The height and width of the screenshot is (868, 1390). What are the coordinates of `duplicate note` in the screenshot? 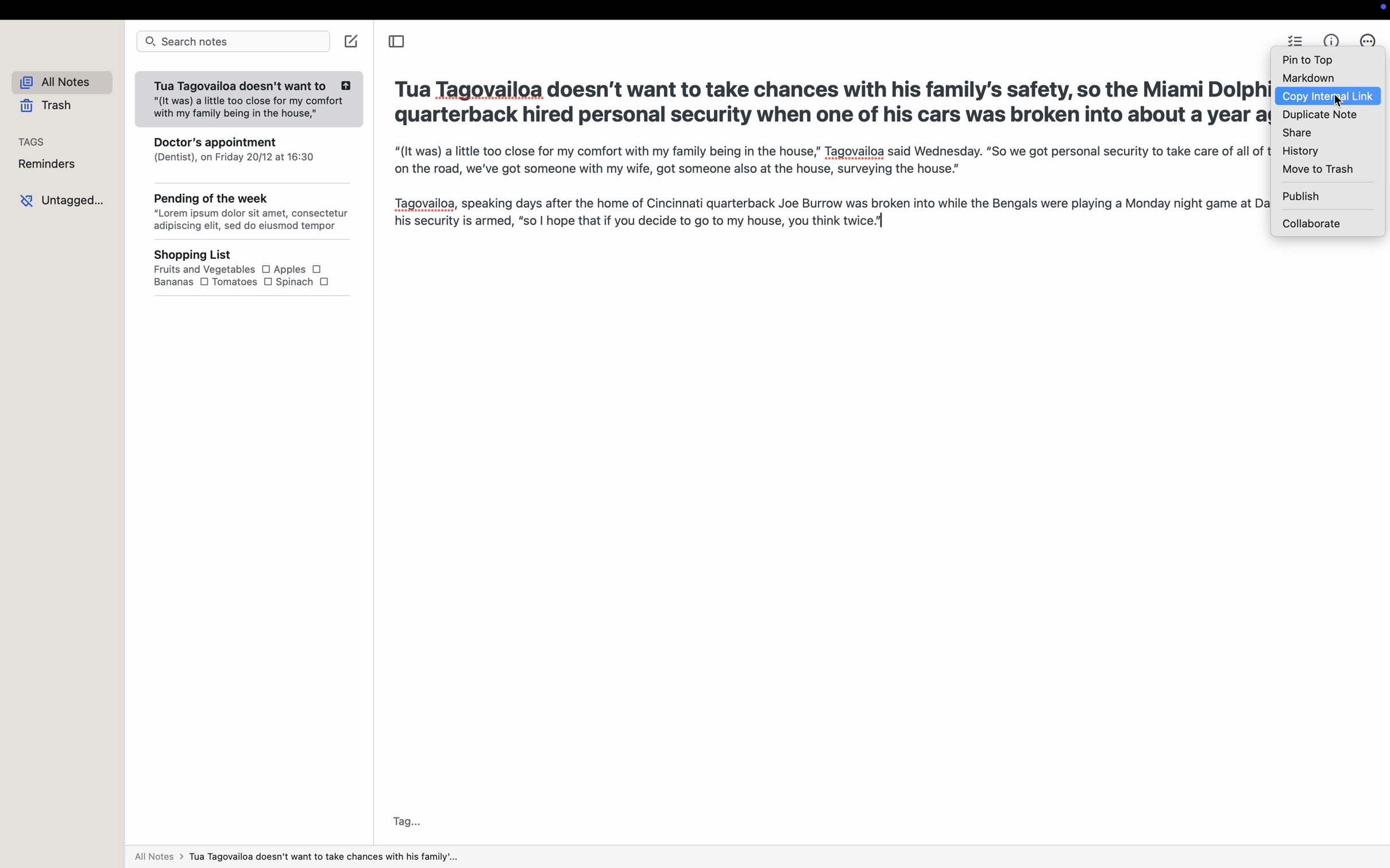 It's located at (1317, 116).